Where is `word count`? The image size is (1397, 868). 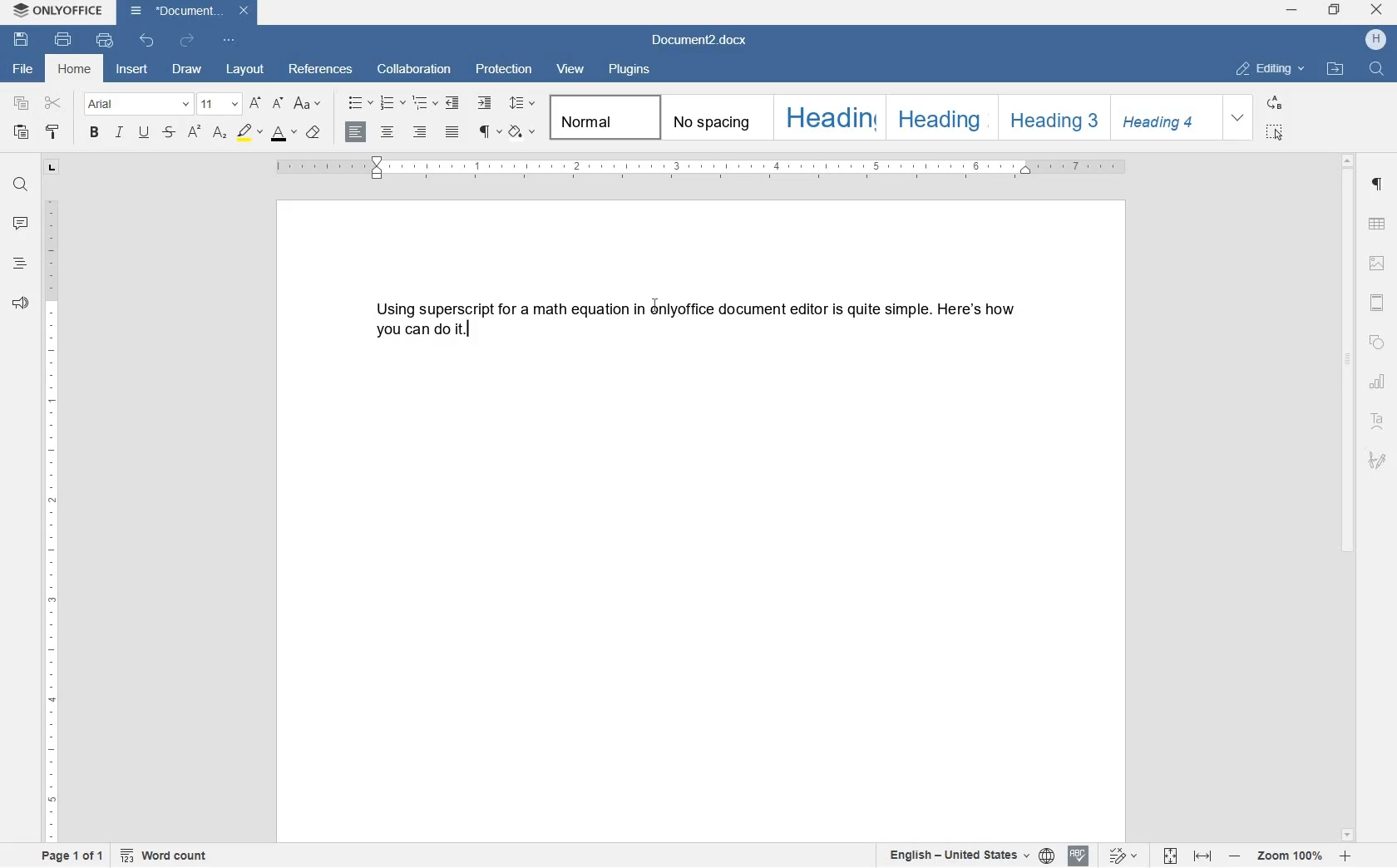
word count is located at coordinates (168, 856).